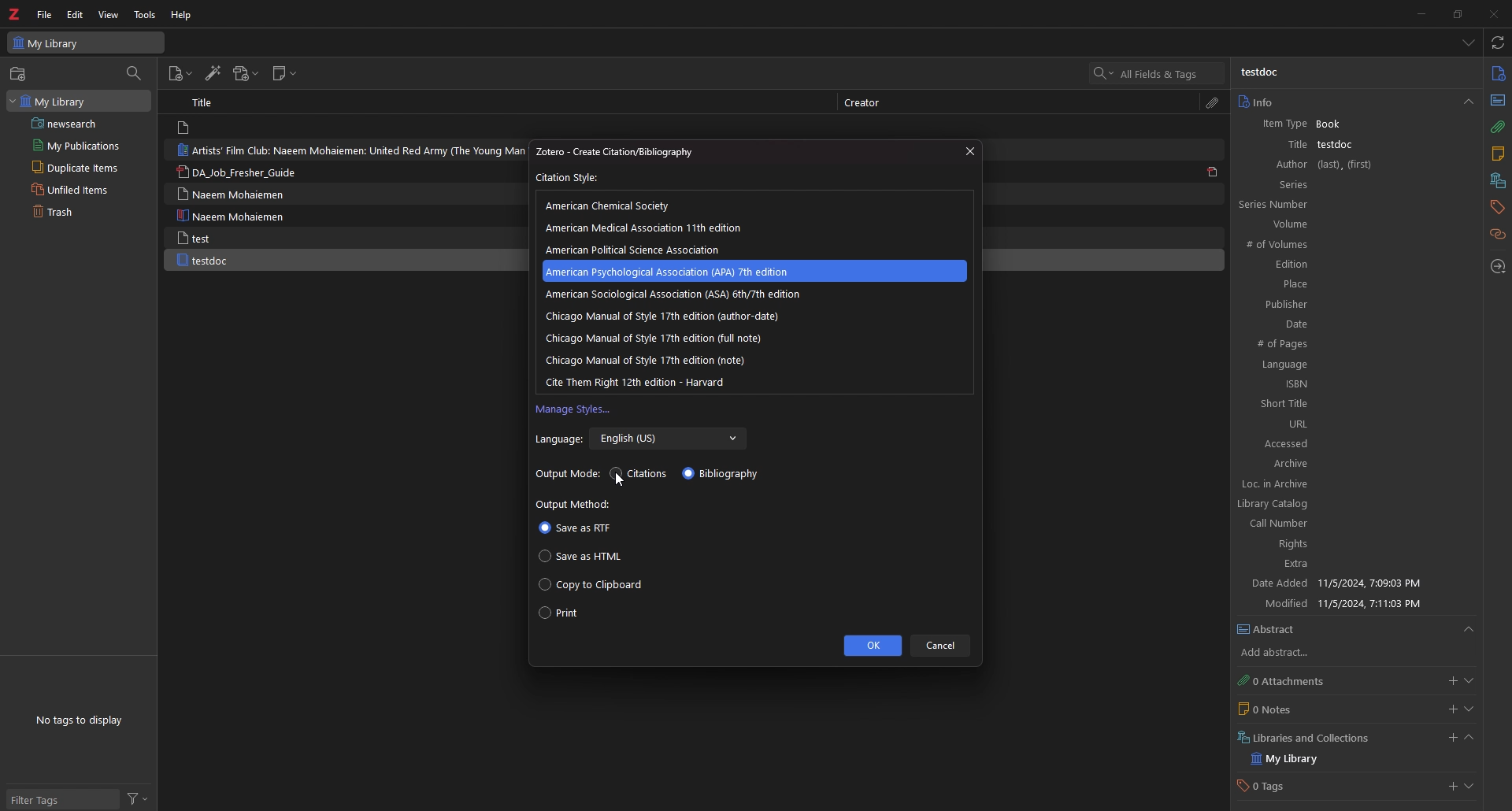  I want to click on tags, so click(1496, 207).